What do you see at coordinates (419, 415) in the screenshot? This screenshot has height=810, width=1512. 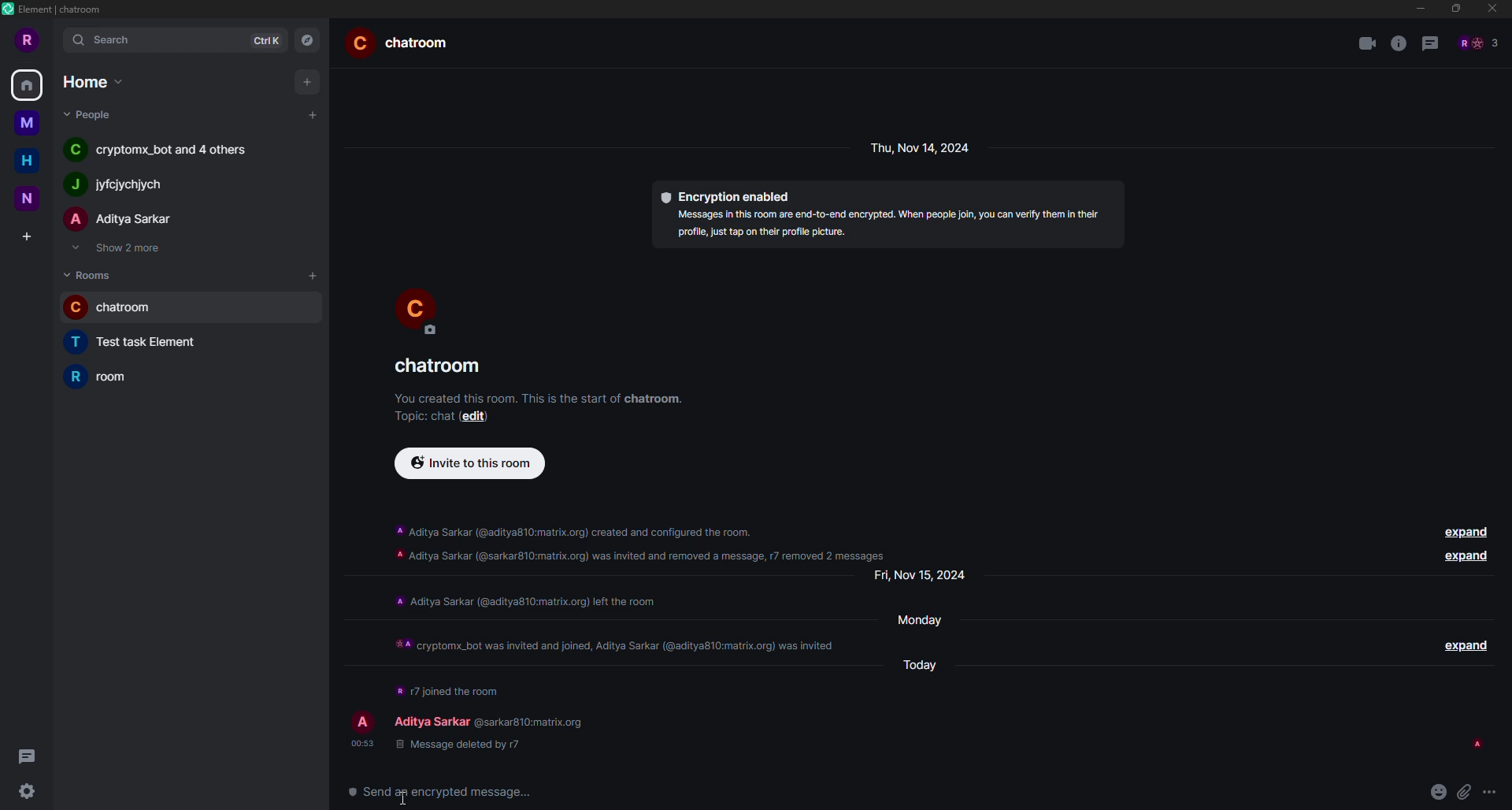 I see `add a topic` at bounding box center [419, 415].